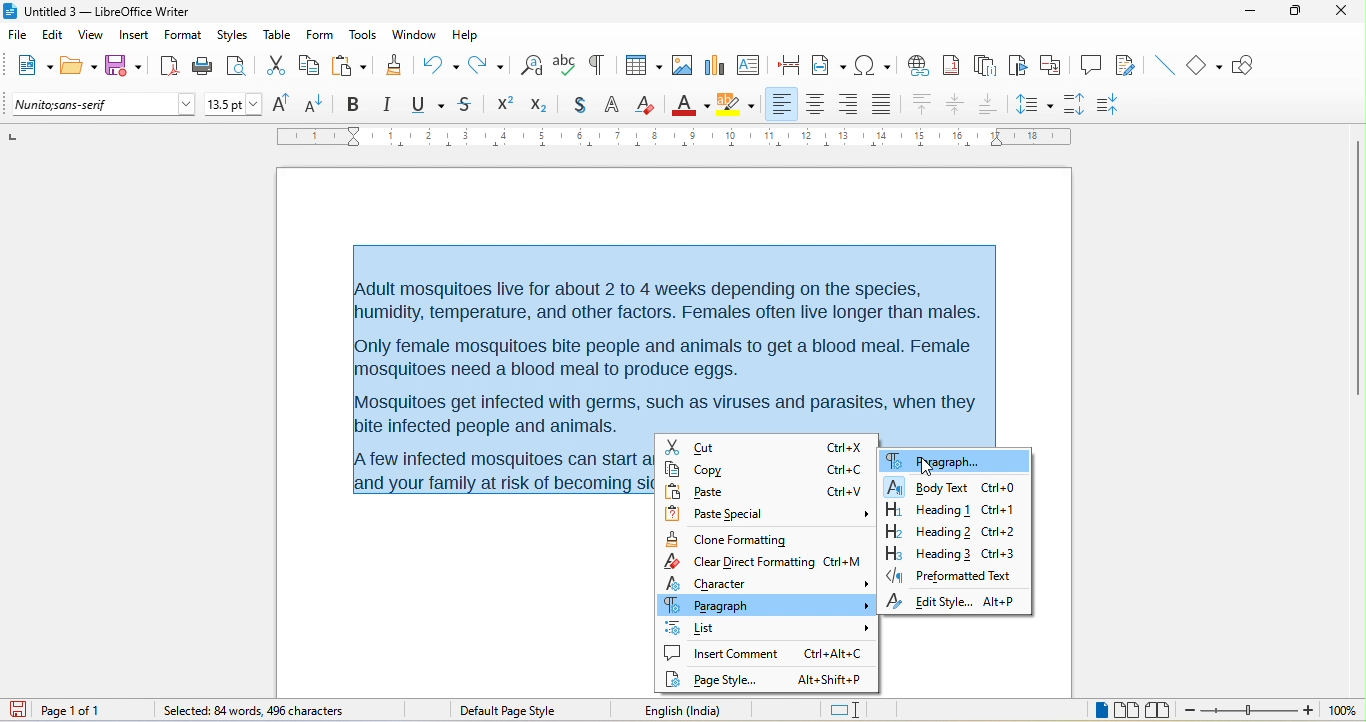  What do you see at coordinates (833, 652) in the screenshot?
I see `shortcut key` at bounding box center [833, 652].